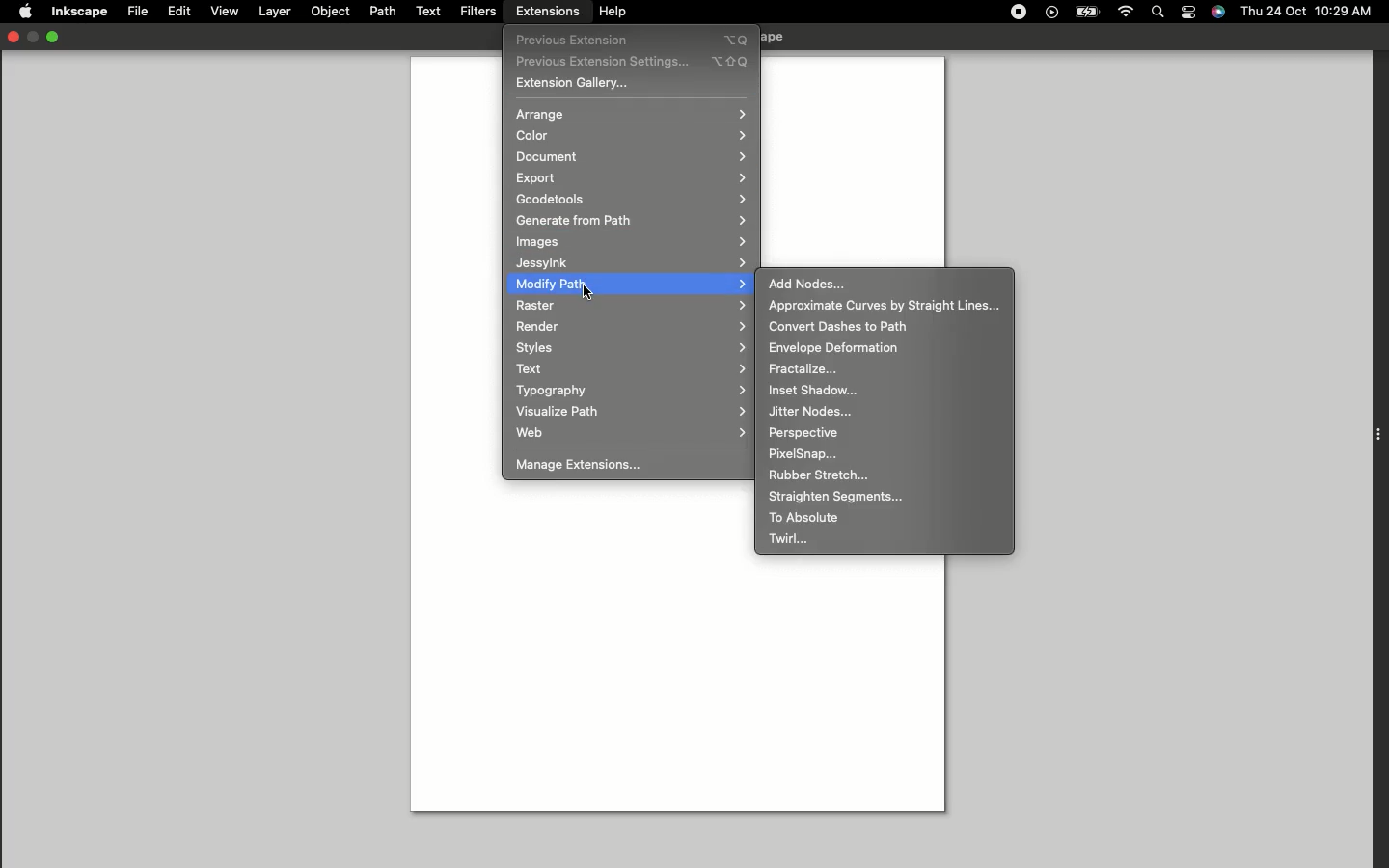 The width and height of the screenshot is (1389, 868). Describe the element at coordinates (884, 306) in the screenshot. I see `Approximate curves by straight lines` at that location.